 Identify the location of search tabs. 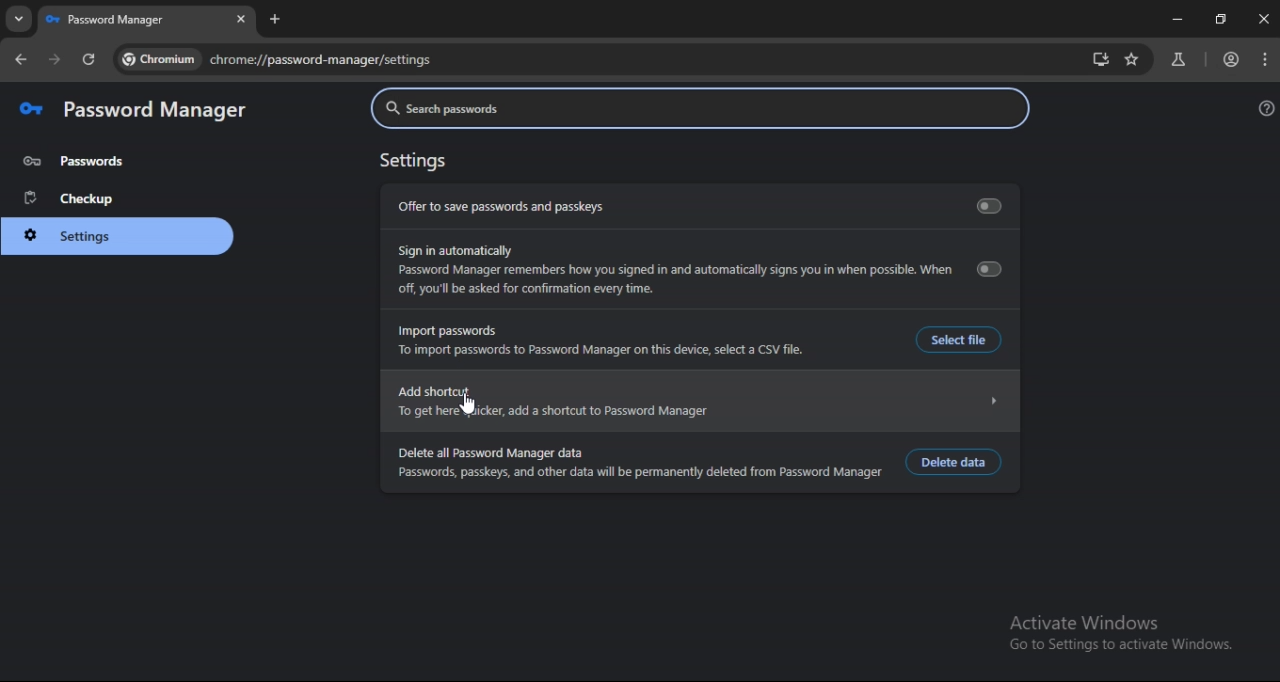
(20, 19).